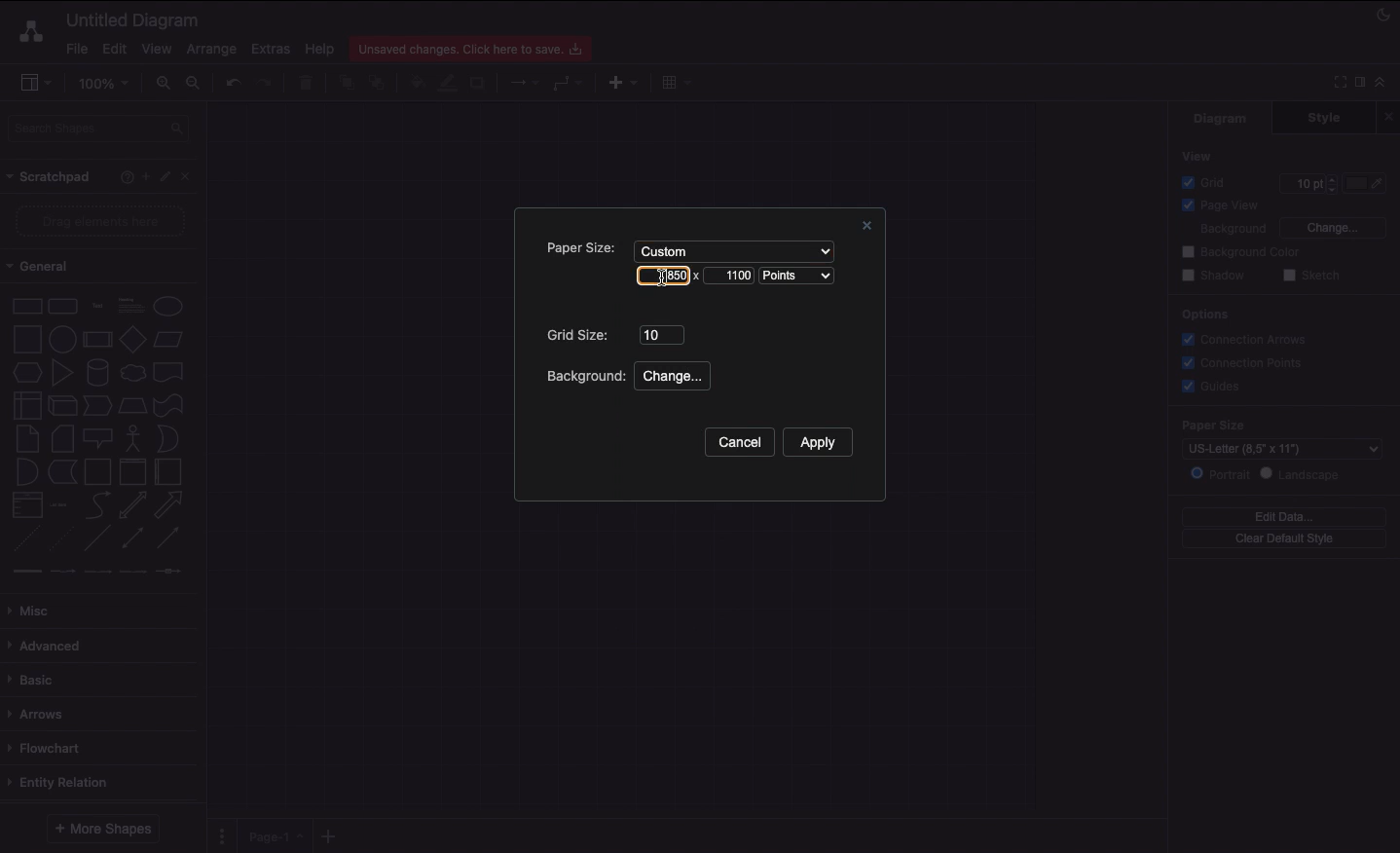 Image resolution: width=1400 pixels, height=853 pixels. I want to click on Page 1, so click(273, 834).